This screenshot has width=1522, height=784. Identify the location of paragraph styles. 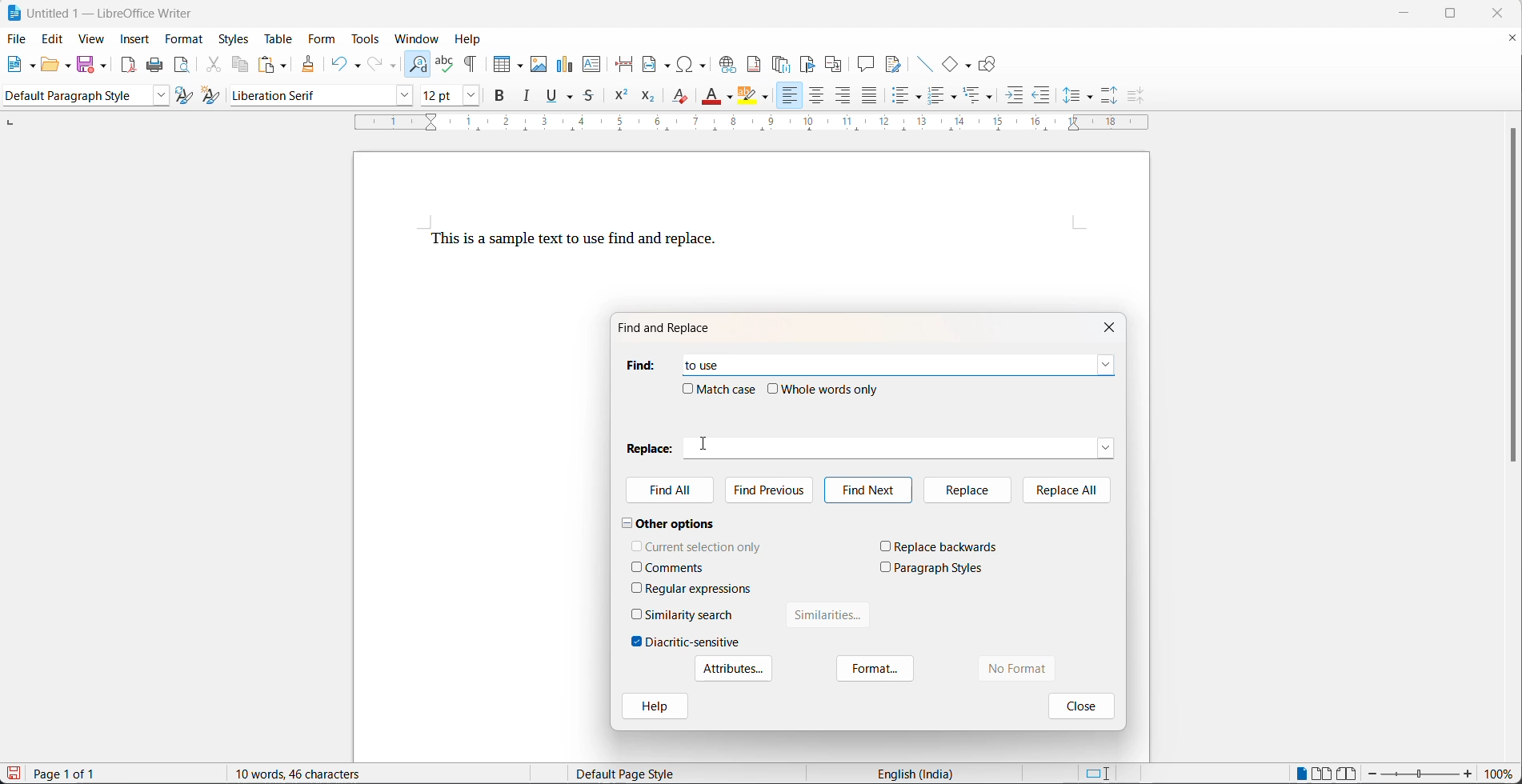
(939, 568).